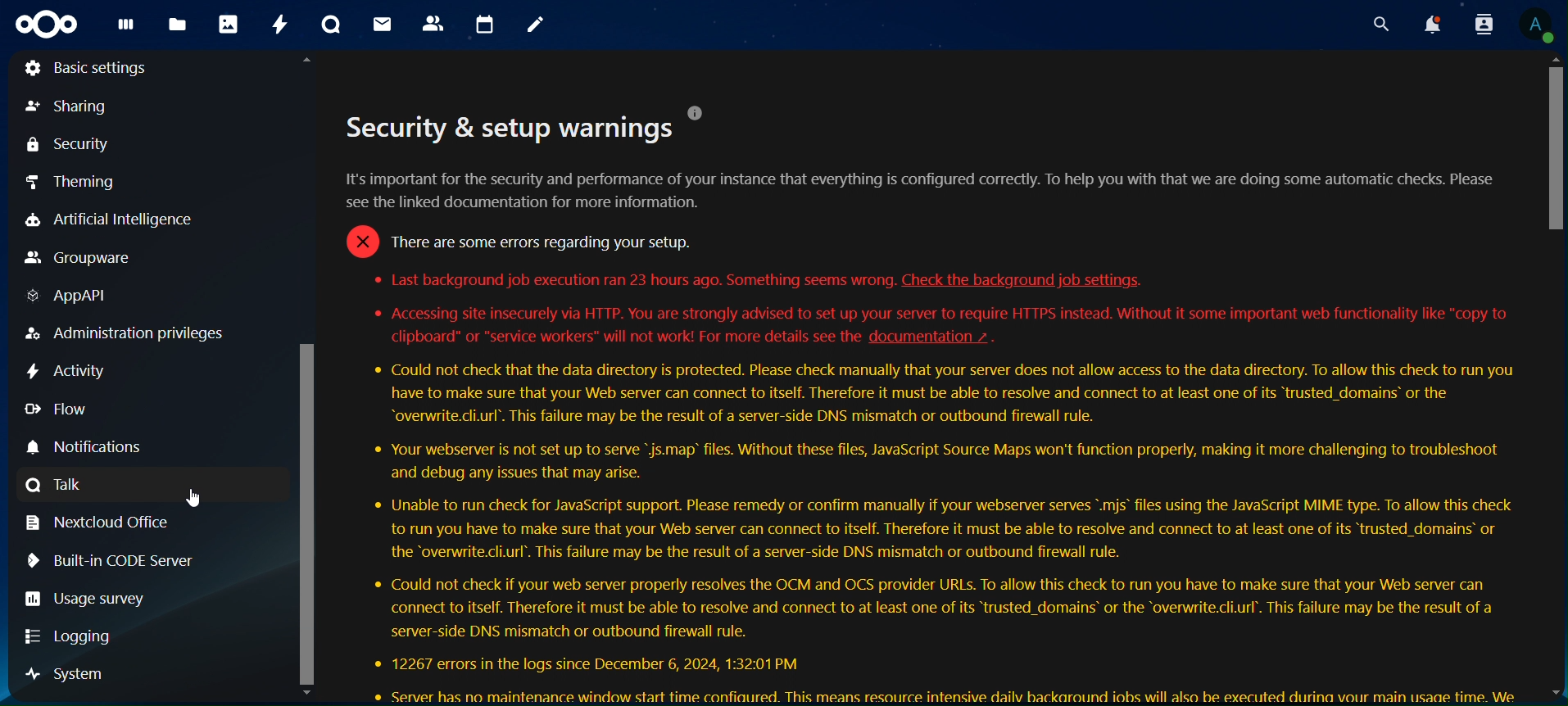 This screenshot has width=1568, height=706. Describe the element at coordinates (307, 378) in the screenshot. I see `Scrollbar` at that location.